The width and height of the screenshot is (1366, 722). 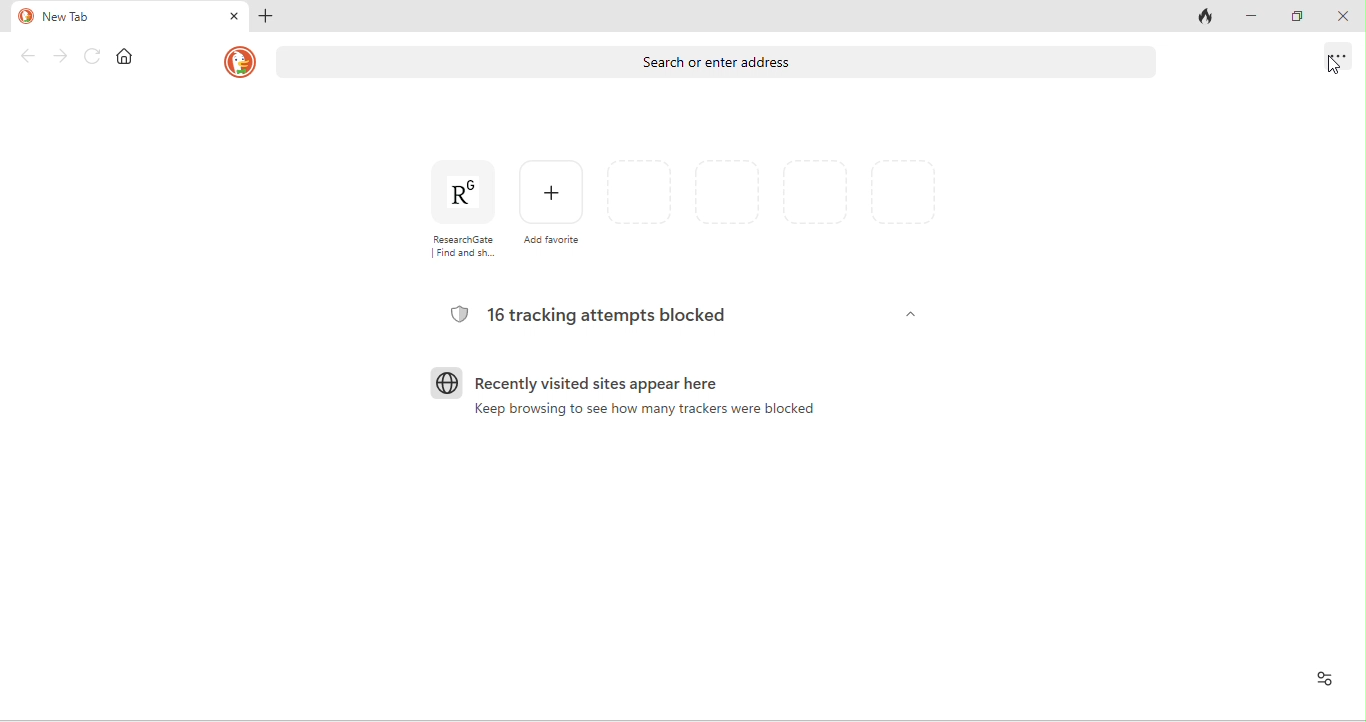 I want to click on track tab, so click(x=1206, y=19).